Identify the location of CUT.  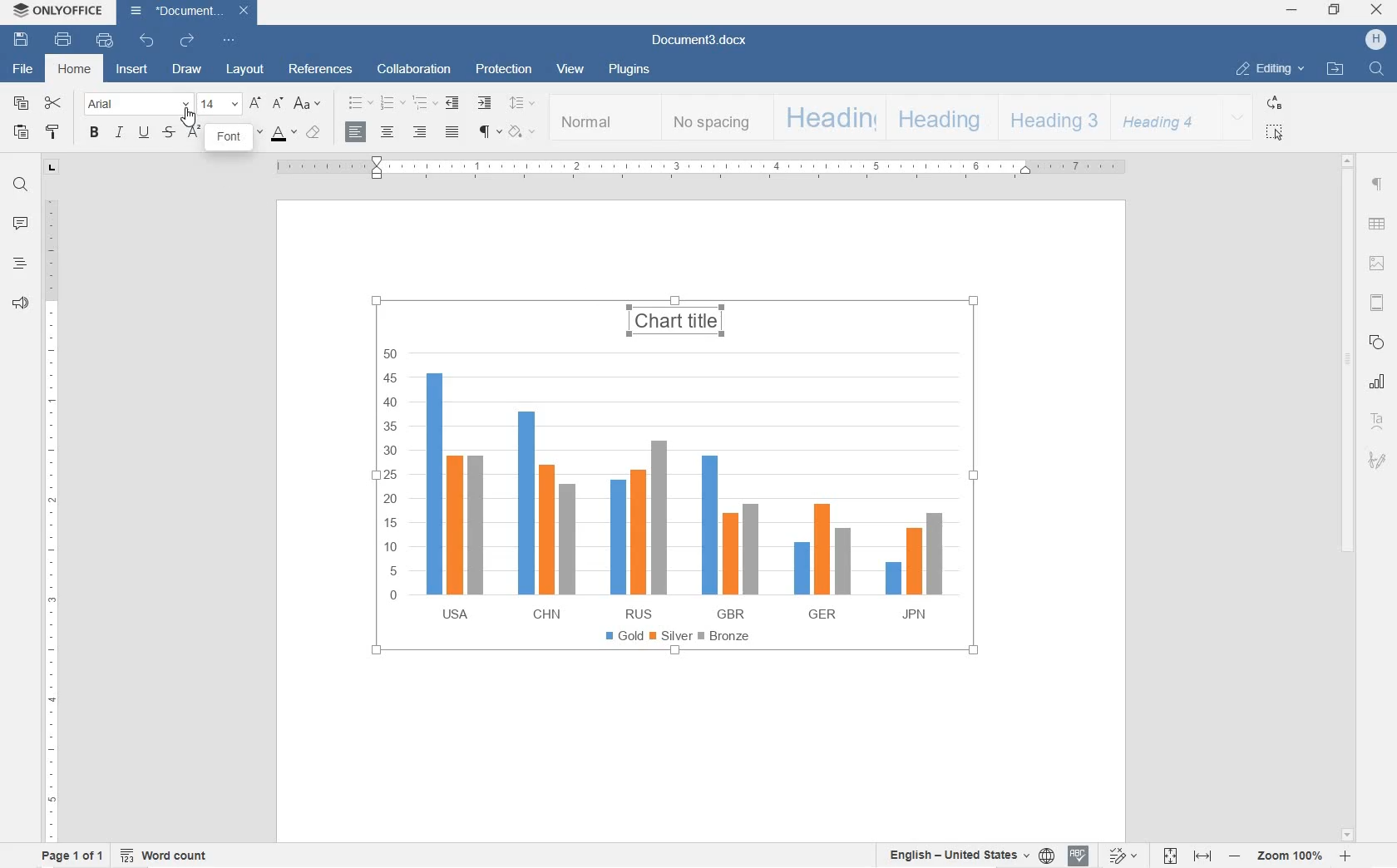
(55, 103).